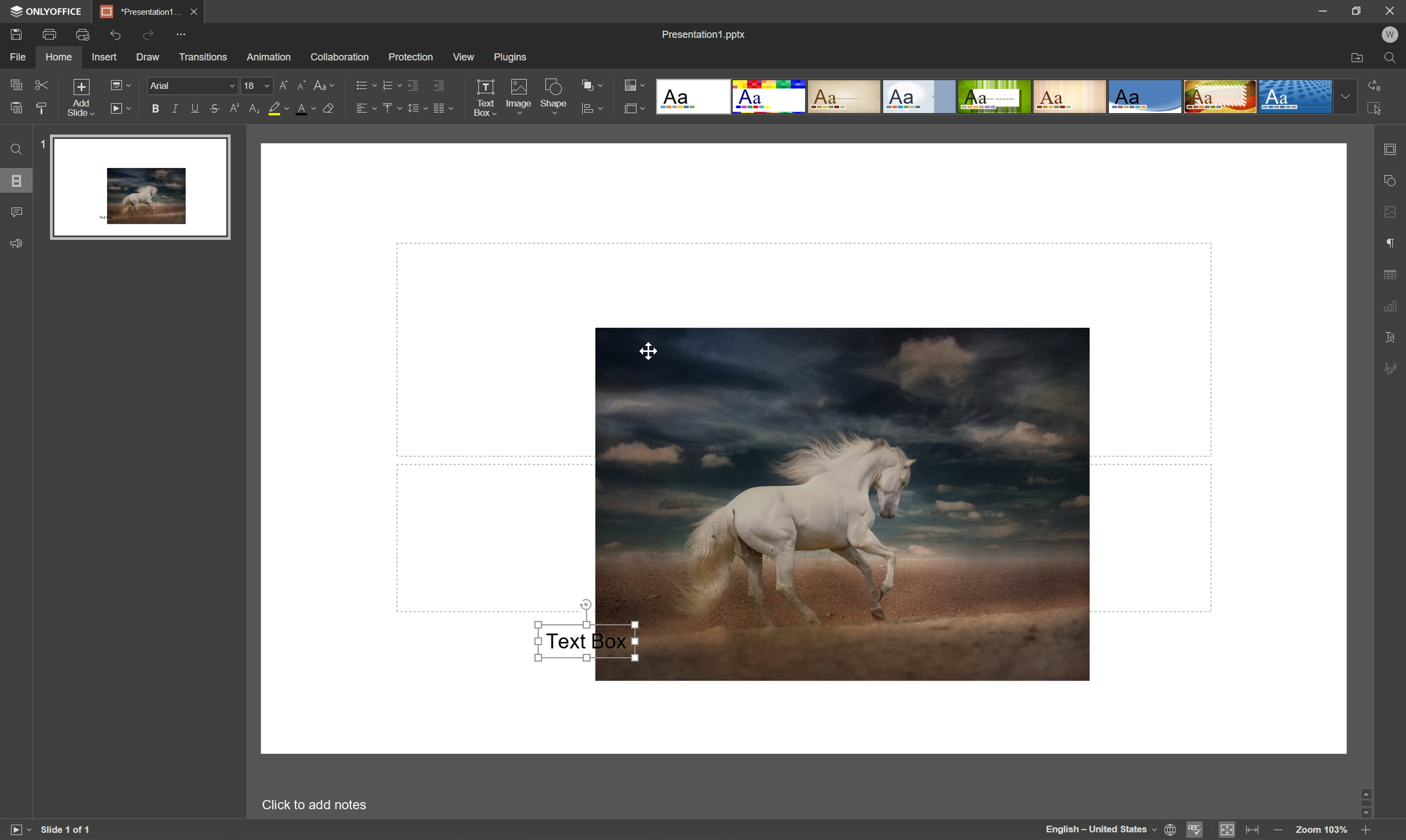  I want to click on View, so click(465, 57).